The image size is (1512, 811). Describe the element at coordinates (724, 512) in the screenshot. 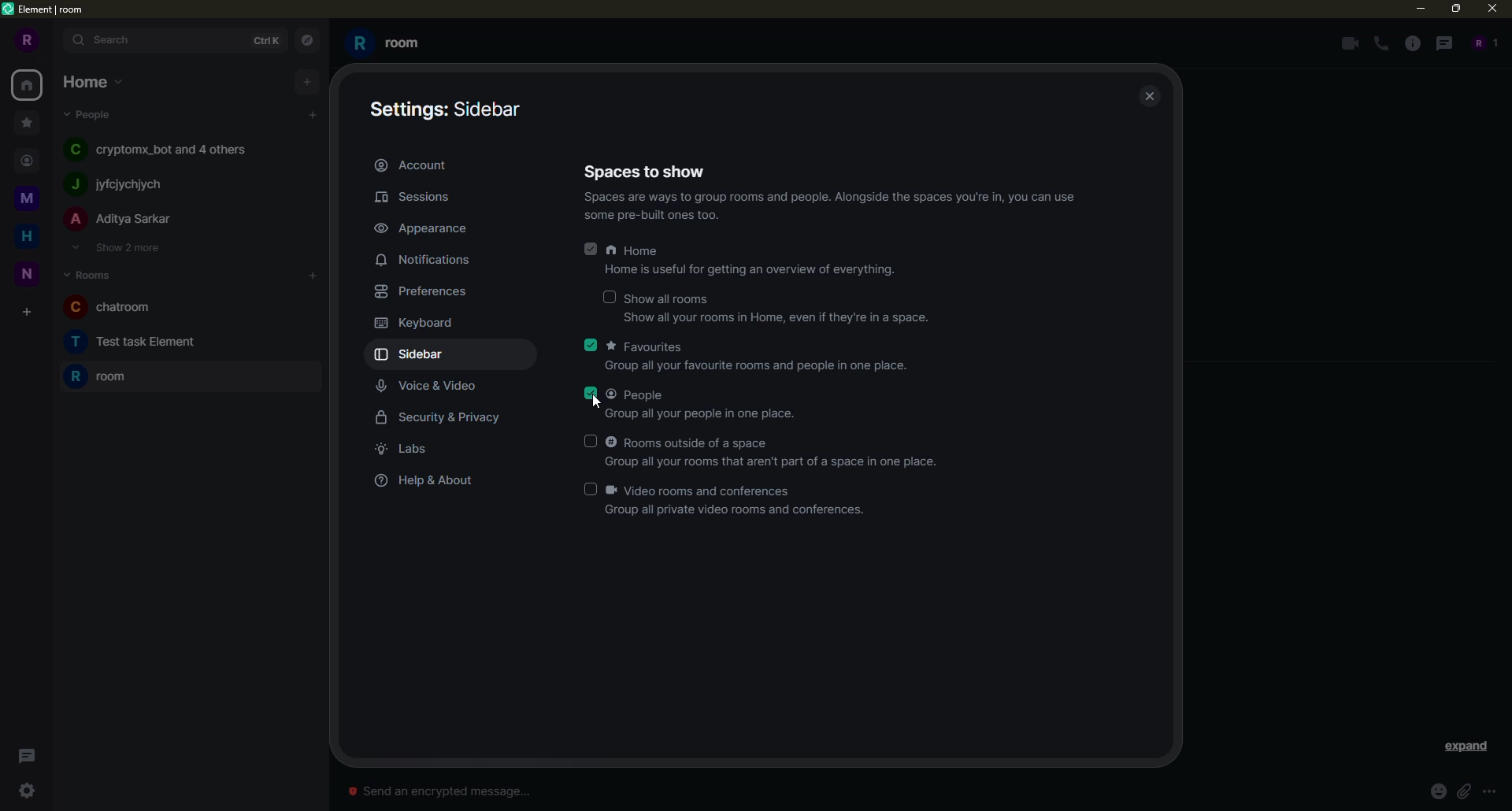

I see `Group all private video rooms and conferences.` at that location.